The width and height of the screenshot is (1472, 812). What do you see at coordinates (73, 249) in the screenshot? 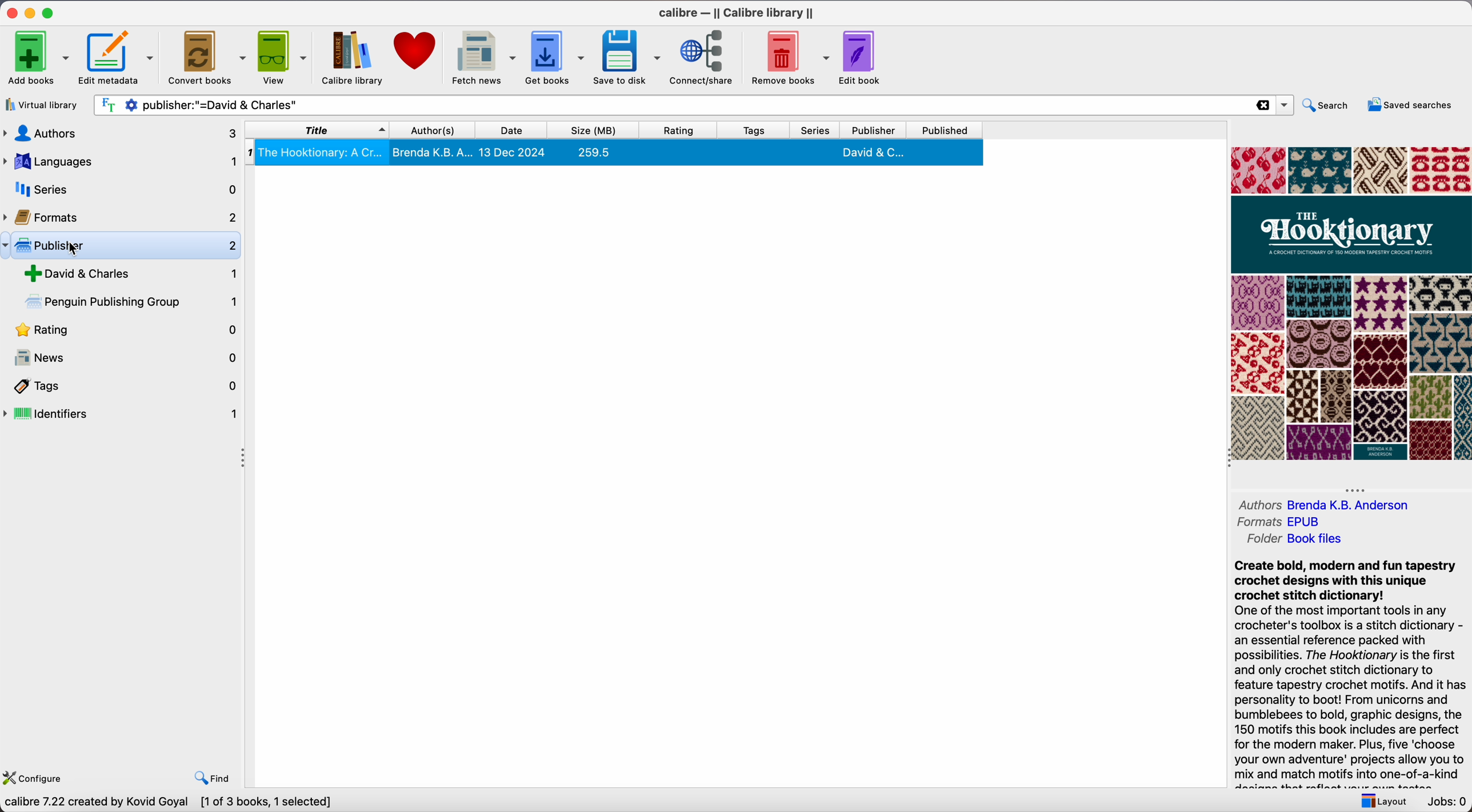
I see `cursor` at bounding box center [73, 249].